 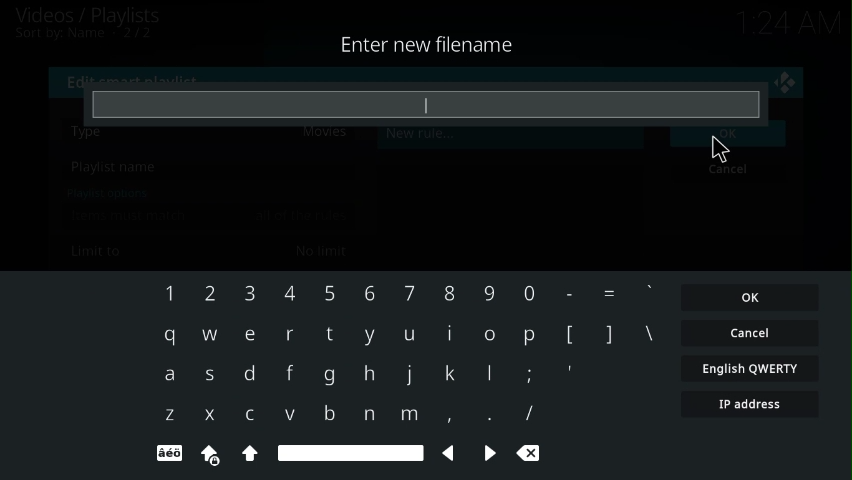 What do you see at coordinates (649, 333) in the screenshot?
I see `\` at bounding box center [649, 333].